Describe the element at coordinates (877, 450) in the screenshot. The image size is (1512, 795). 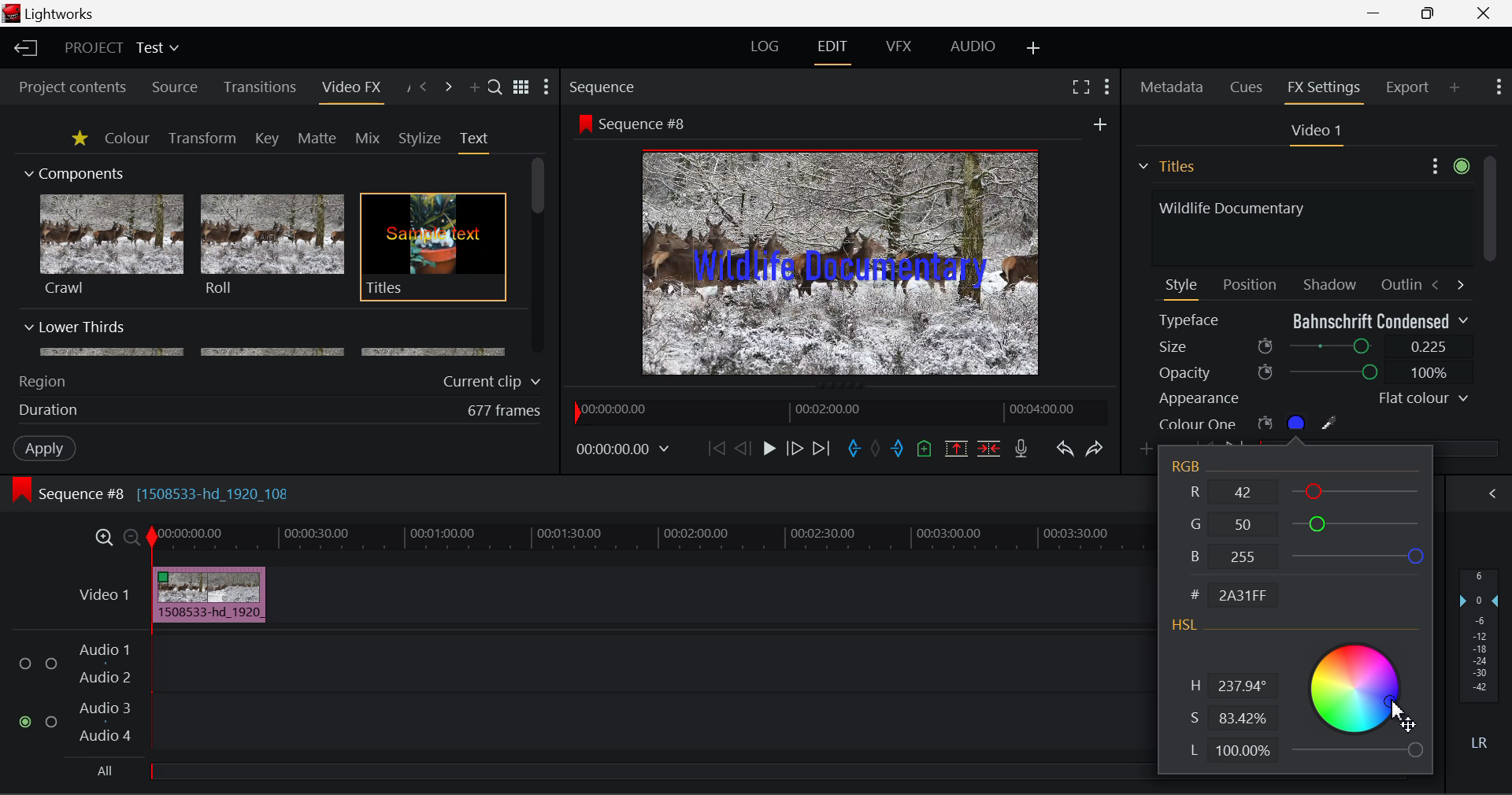
I see `Remove all marks` at that location.